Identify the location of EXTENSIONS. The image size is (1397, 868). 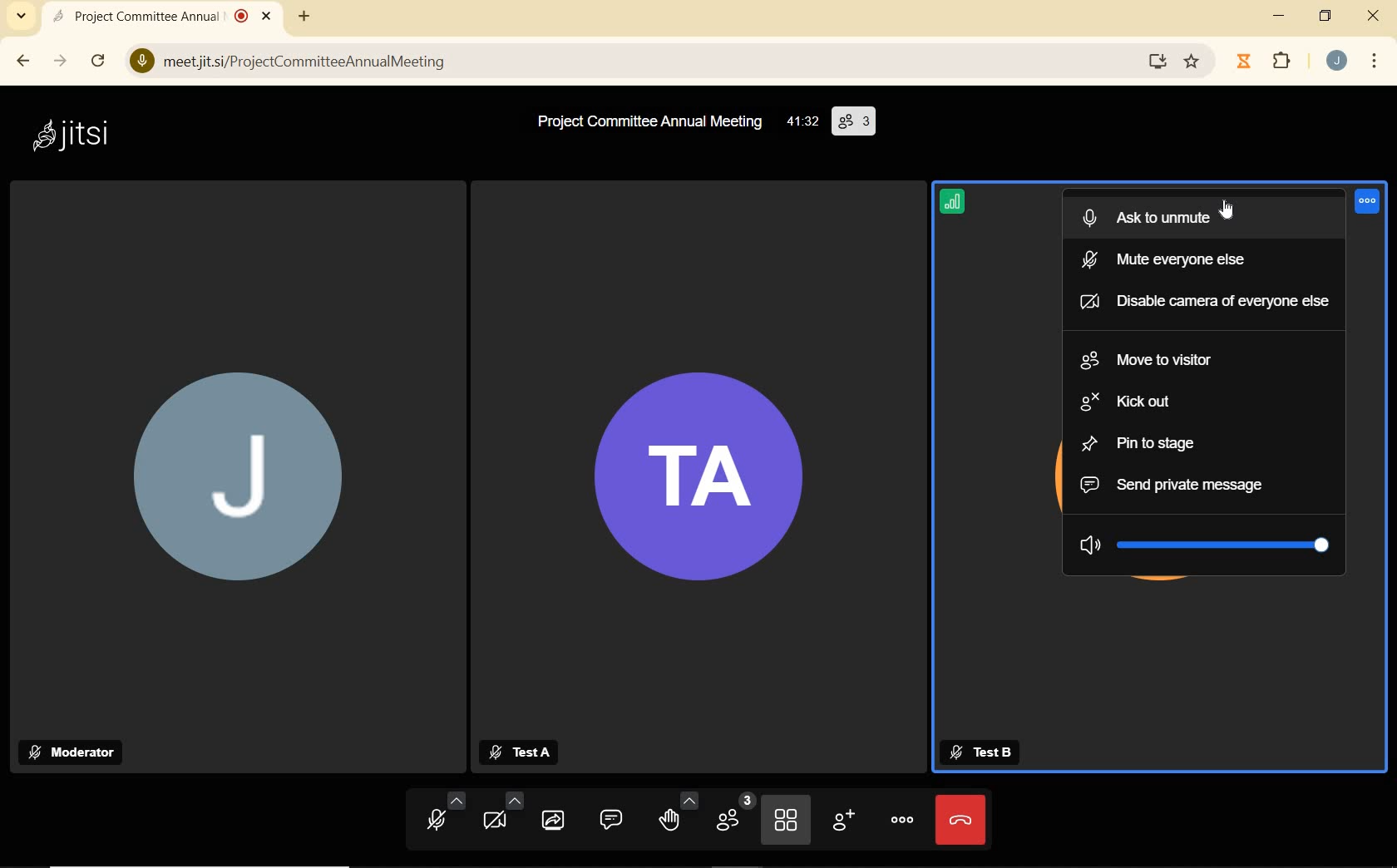
(1284, 62).